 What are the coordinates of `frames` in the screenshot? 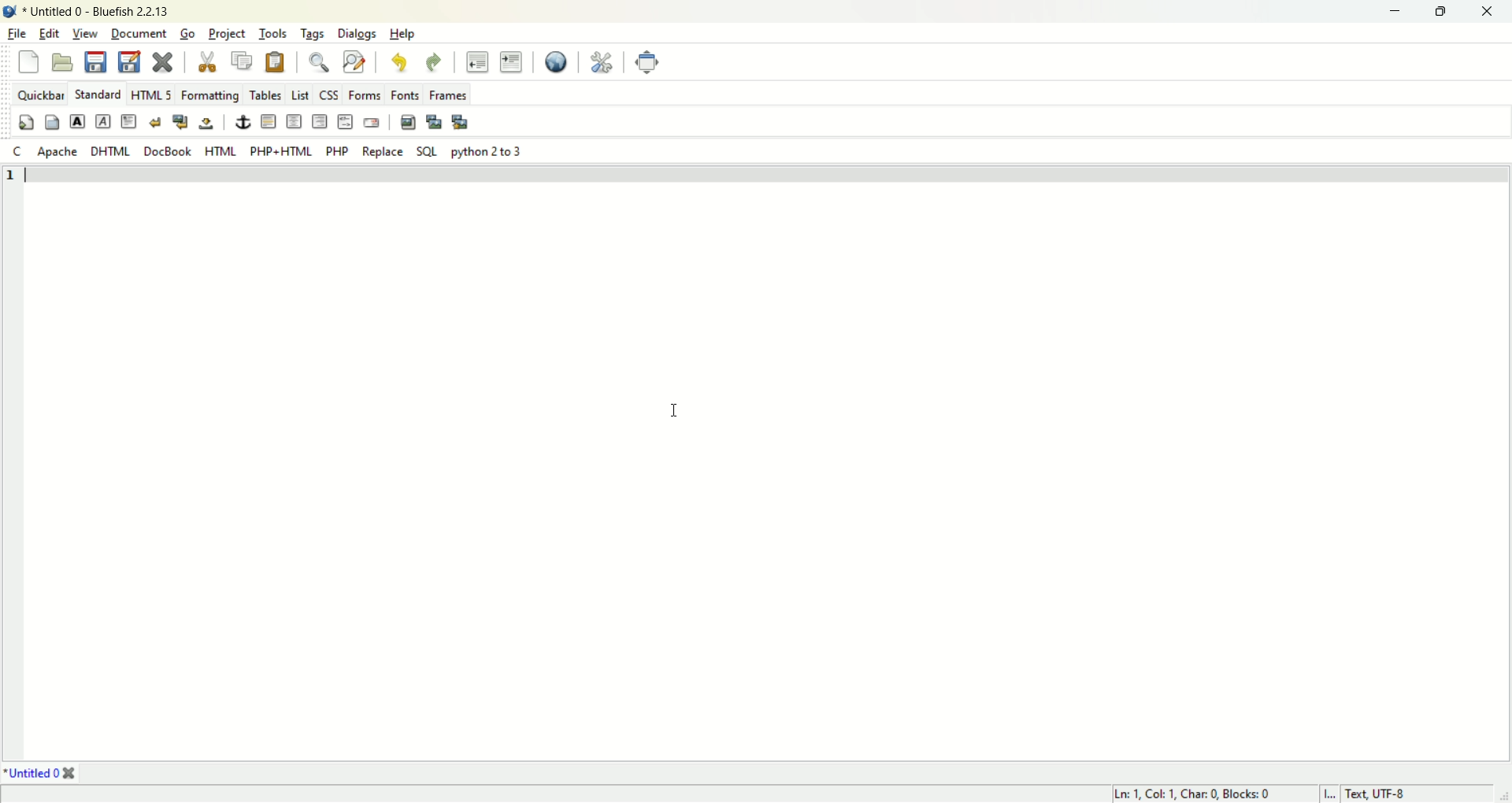 It's located at (450, 96).